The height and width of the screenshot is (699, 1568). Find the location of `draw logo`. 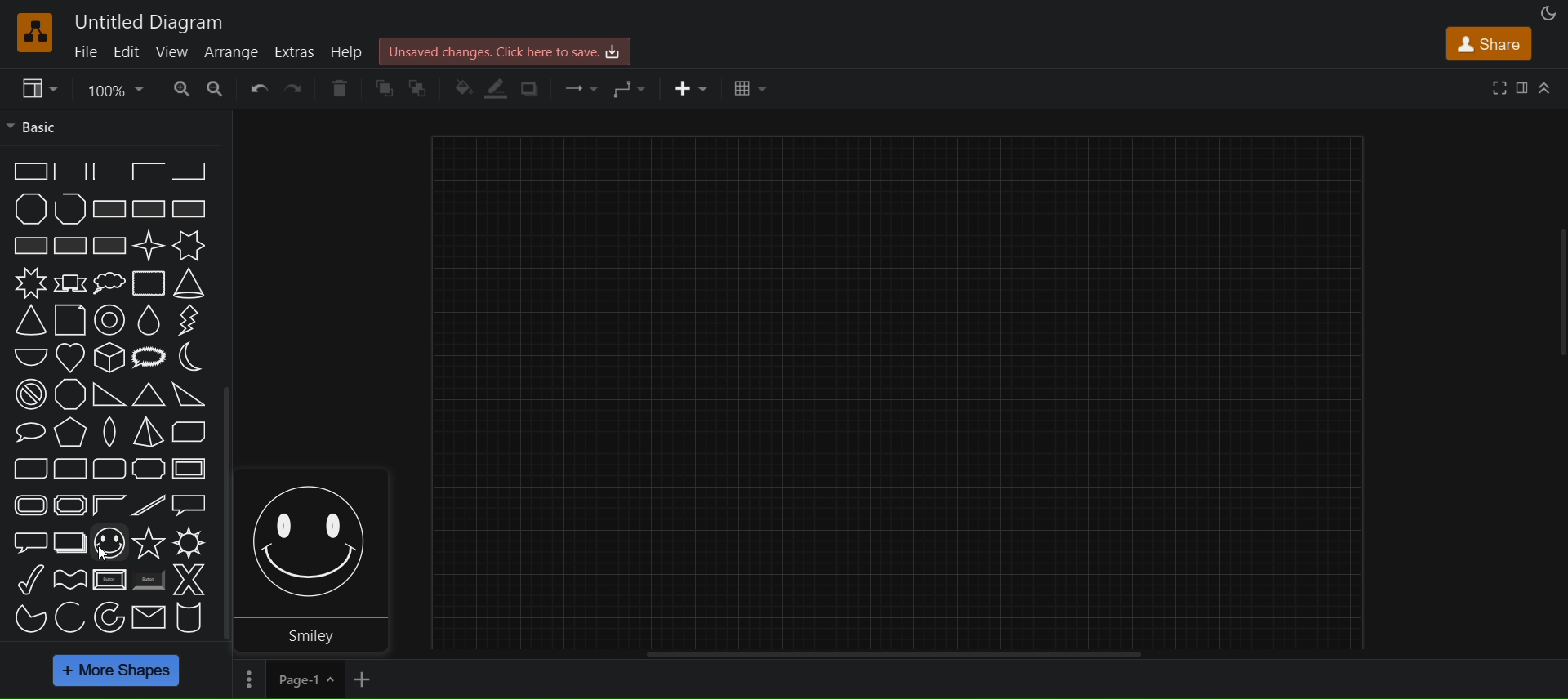

draw logo is located at coordinates (32, 30).